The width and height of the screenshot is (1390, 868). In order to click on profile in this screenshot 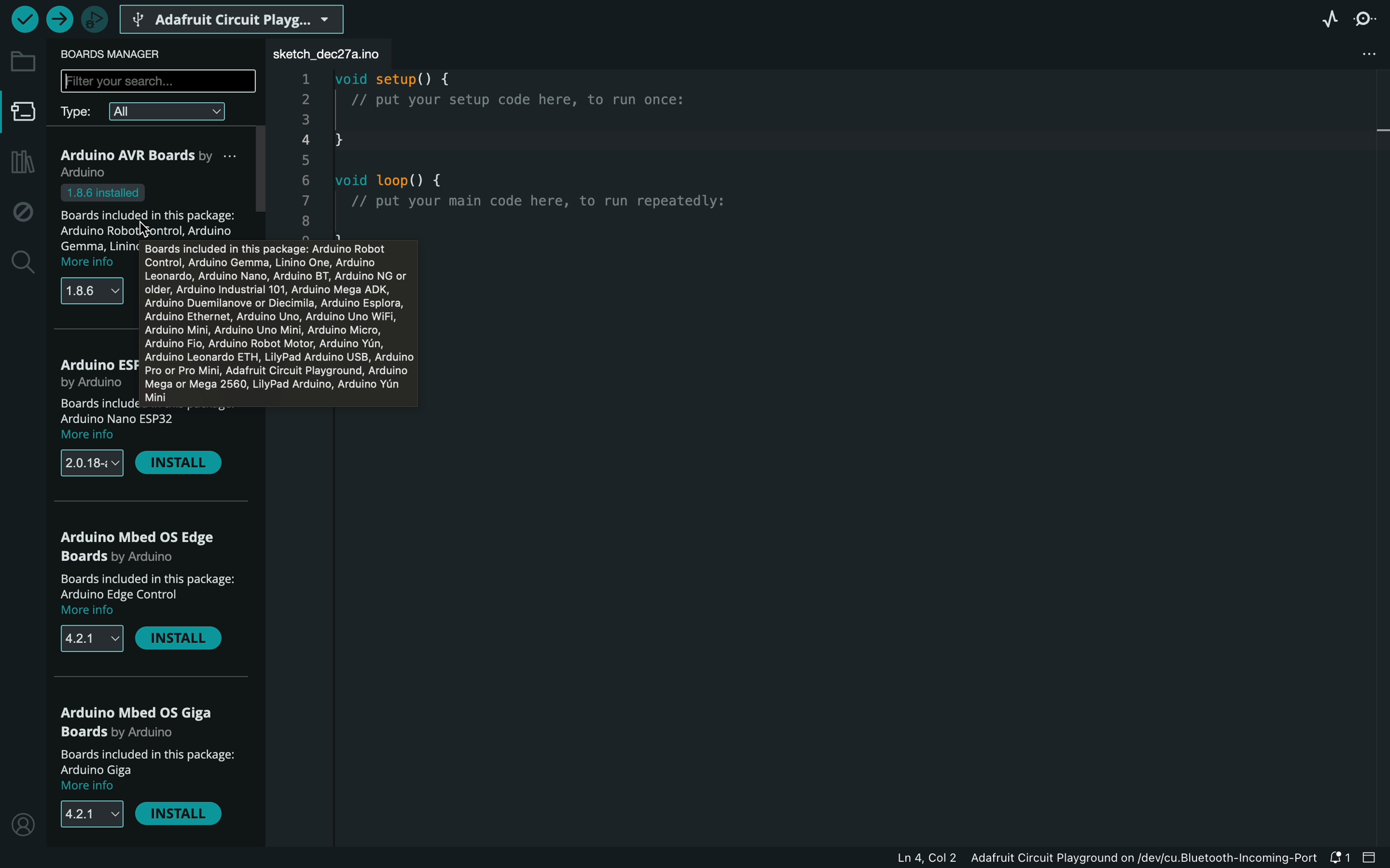, I will do `click(23, 824)`.